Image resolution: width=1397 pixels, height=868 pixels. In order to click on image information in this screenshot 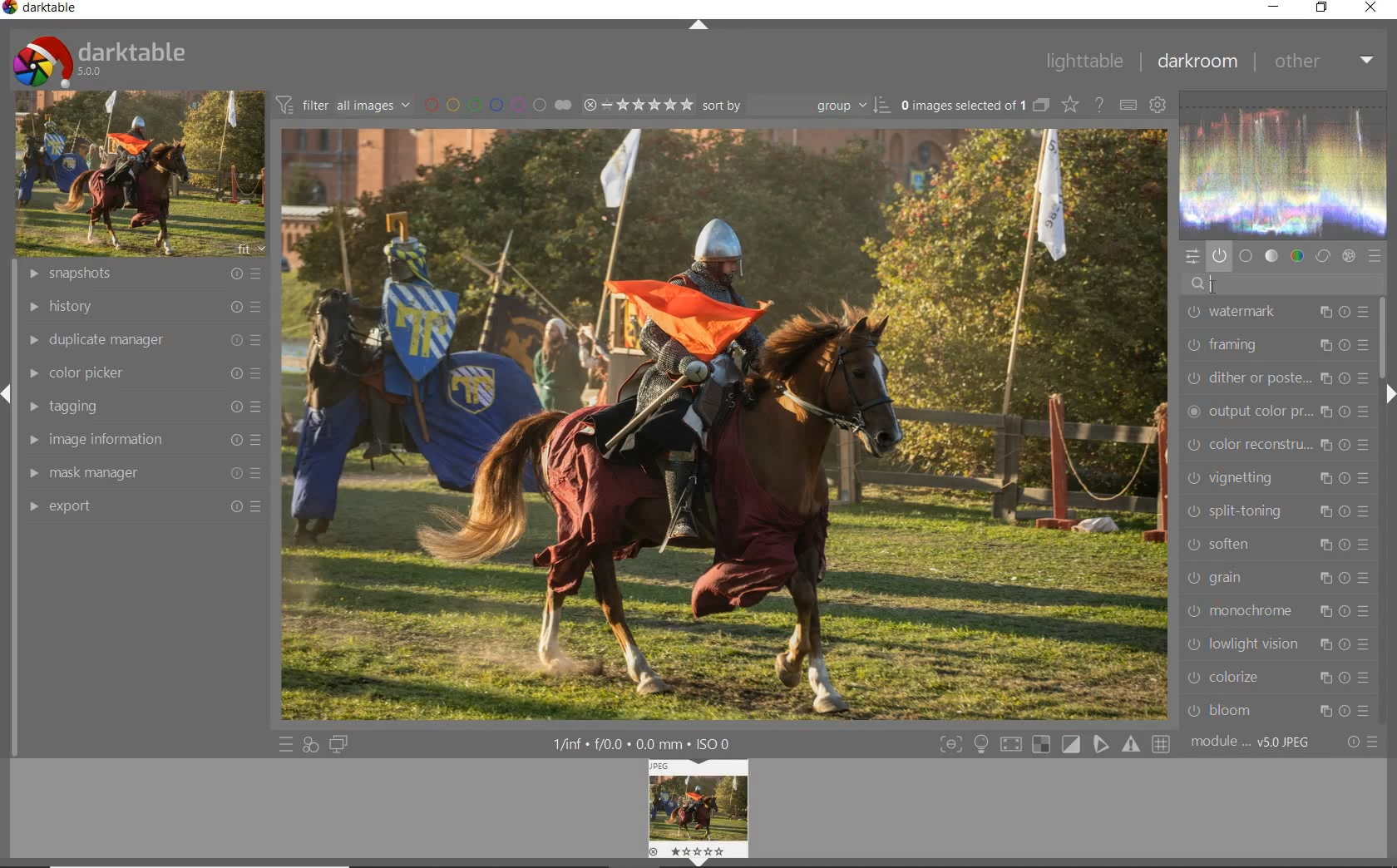, I will do `click(141, 442)`.